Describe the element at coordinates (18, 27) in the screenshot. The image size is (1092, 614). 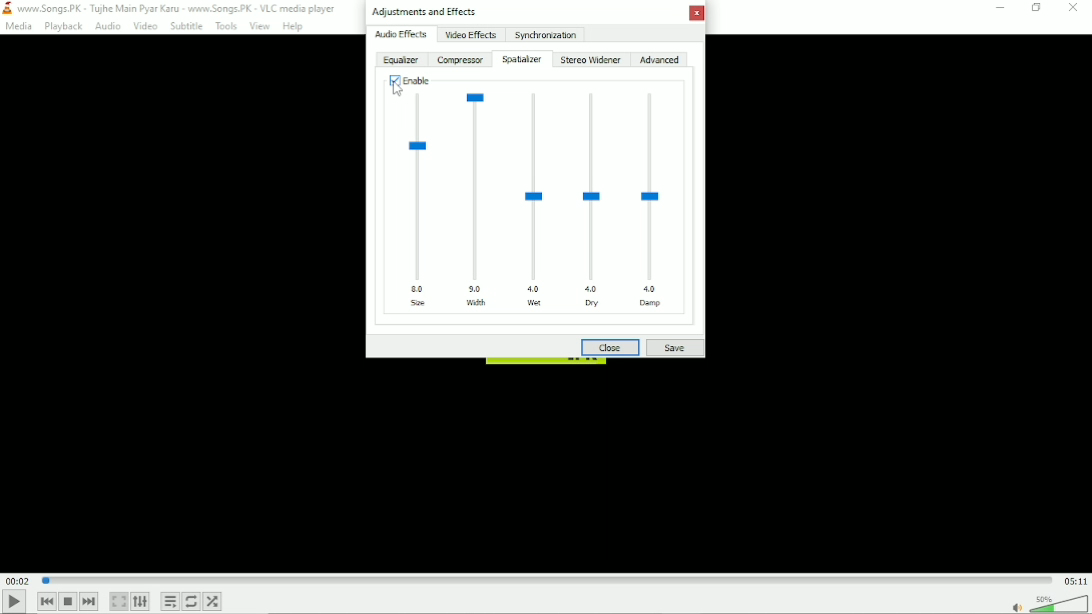
I see `Media` at that location.